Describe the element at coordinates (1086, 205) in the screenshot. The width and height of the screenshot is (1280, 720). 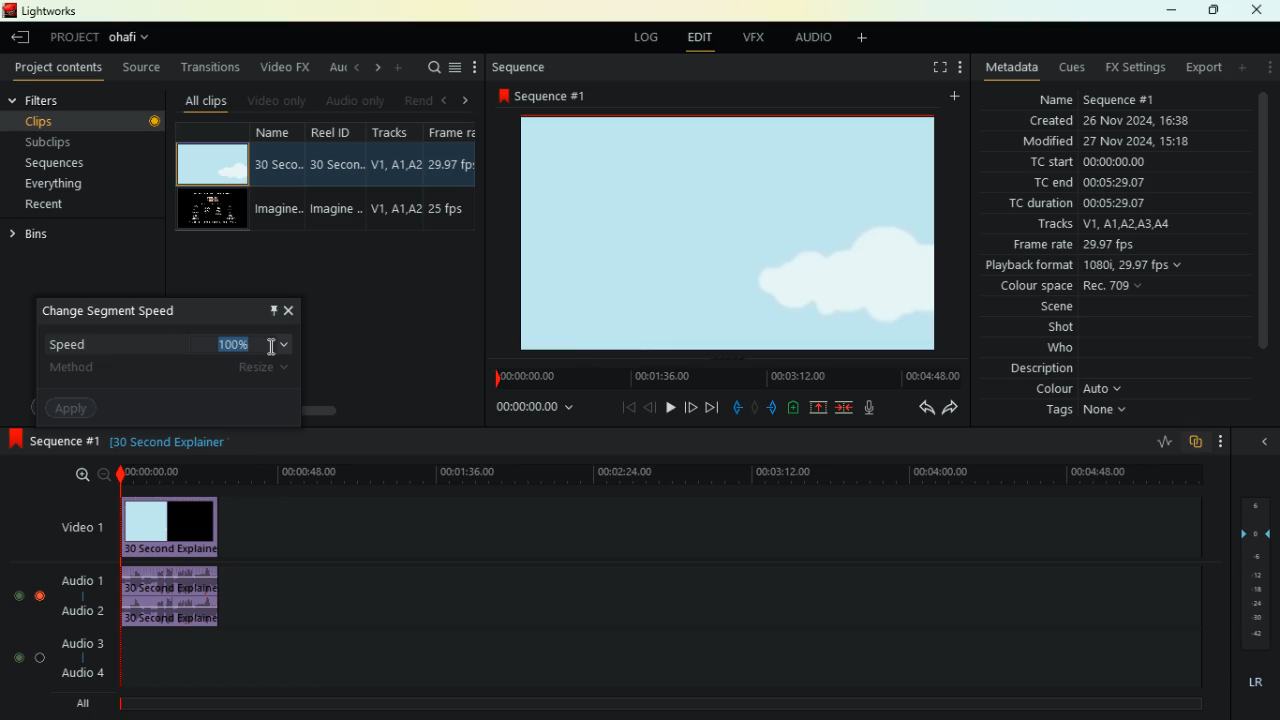
I see `tc duration` at that location.